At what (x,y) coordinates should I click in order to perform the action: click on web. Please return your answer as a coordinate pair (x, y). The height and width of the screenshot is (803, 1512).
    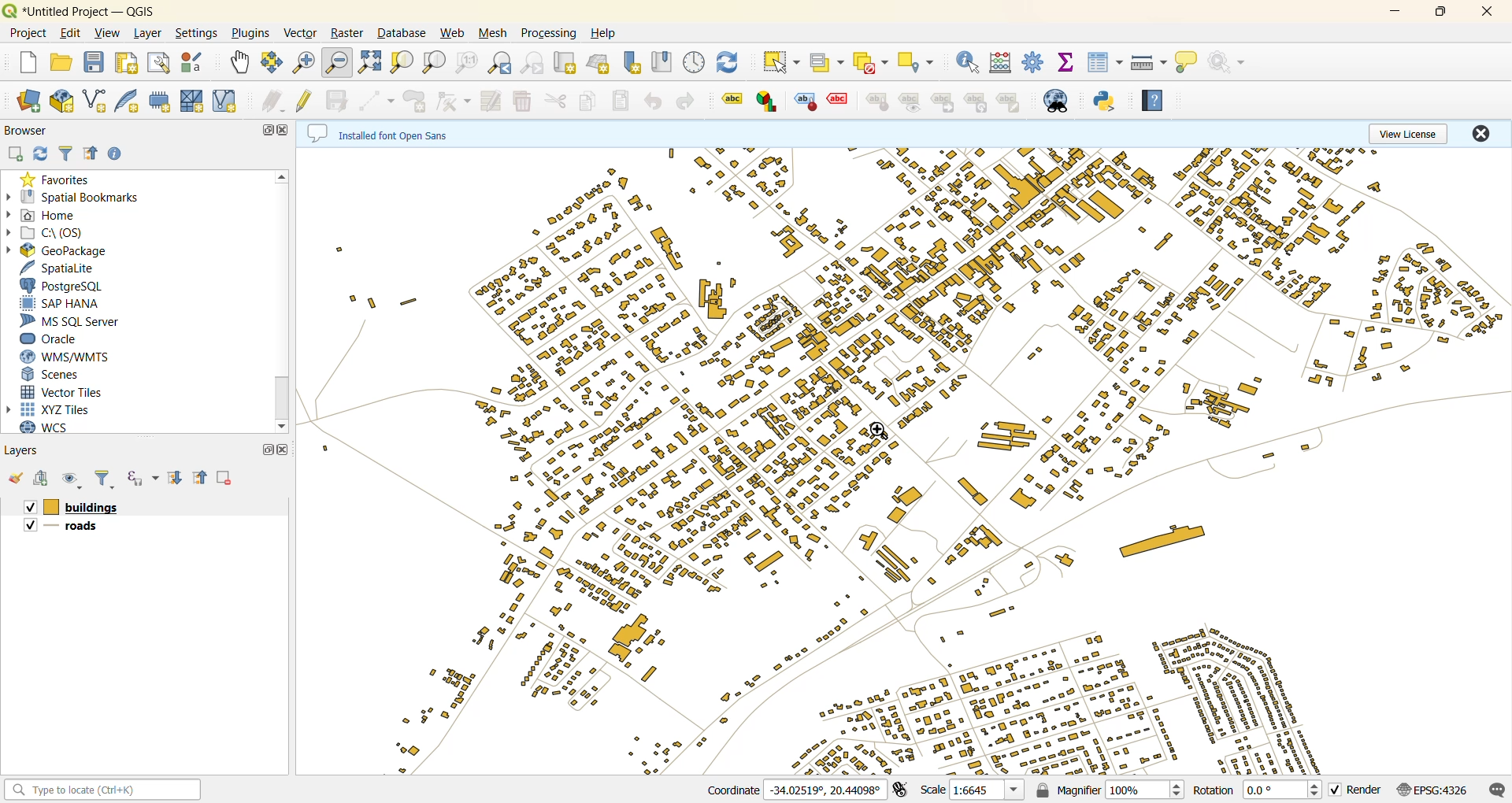
    Looking at the image, I should click on (456, 35).